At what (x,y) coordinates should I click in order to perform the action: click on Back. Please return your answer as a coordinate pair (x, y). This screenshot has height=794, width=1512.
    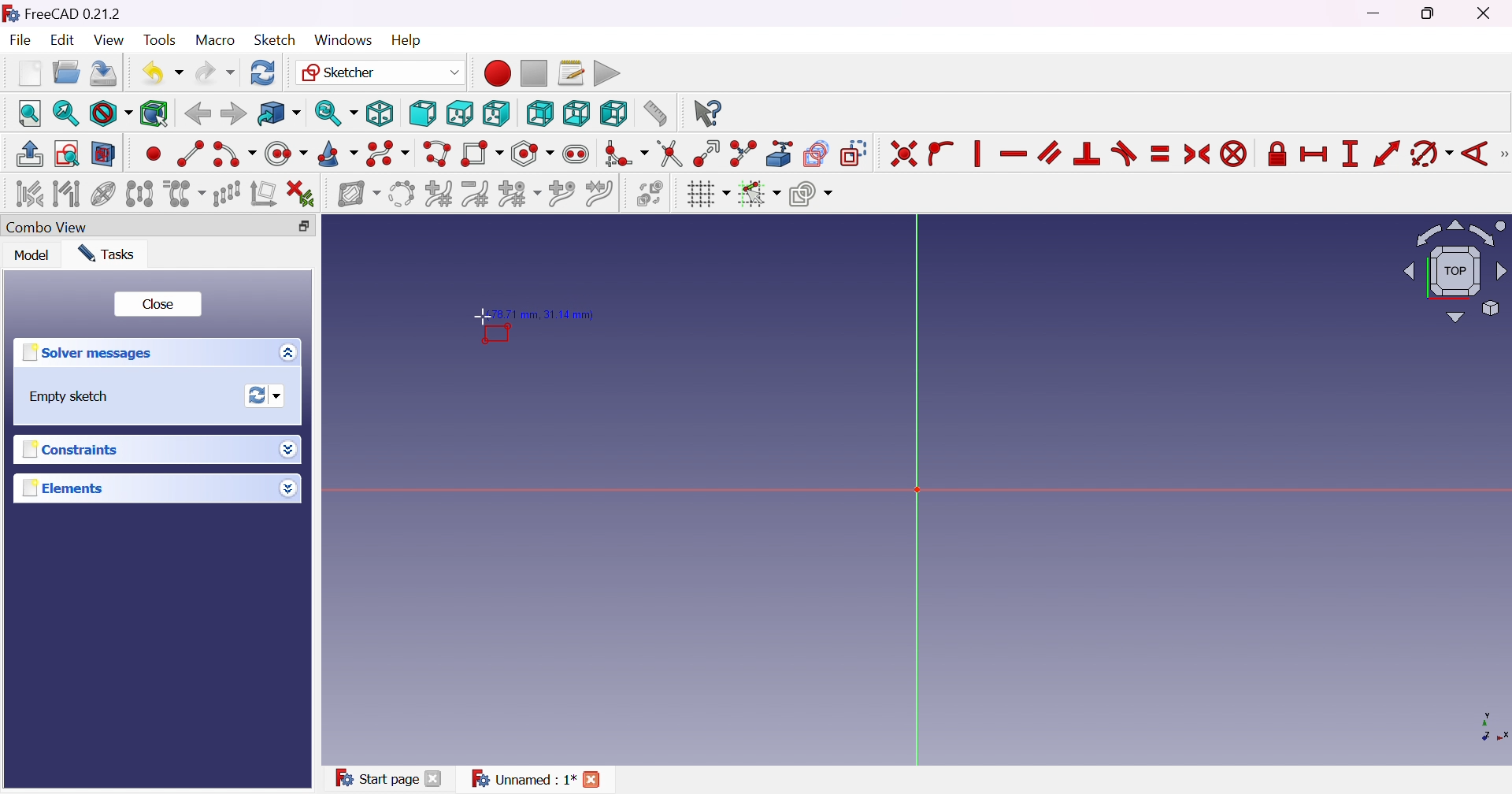
    Looking at the image, I should click on (197, 114).